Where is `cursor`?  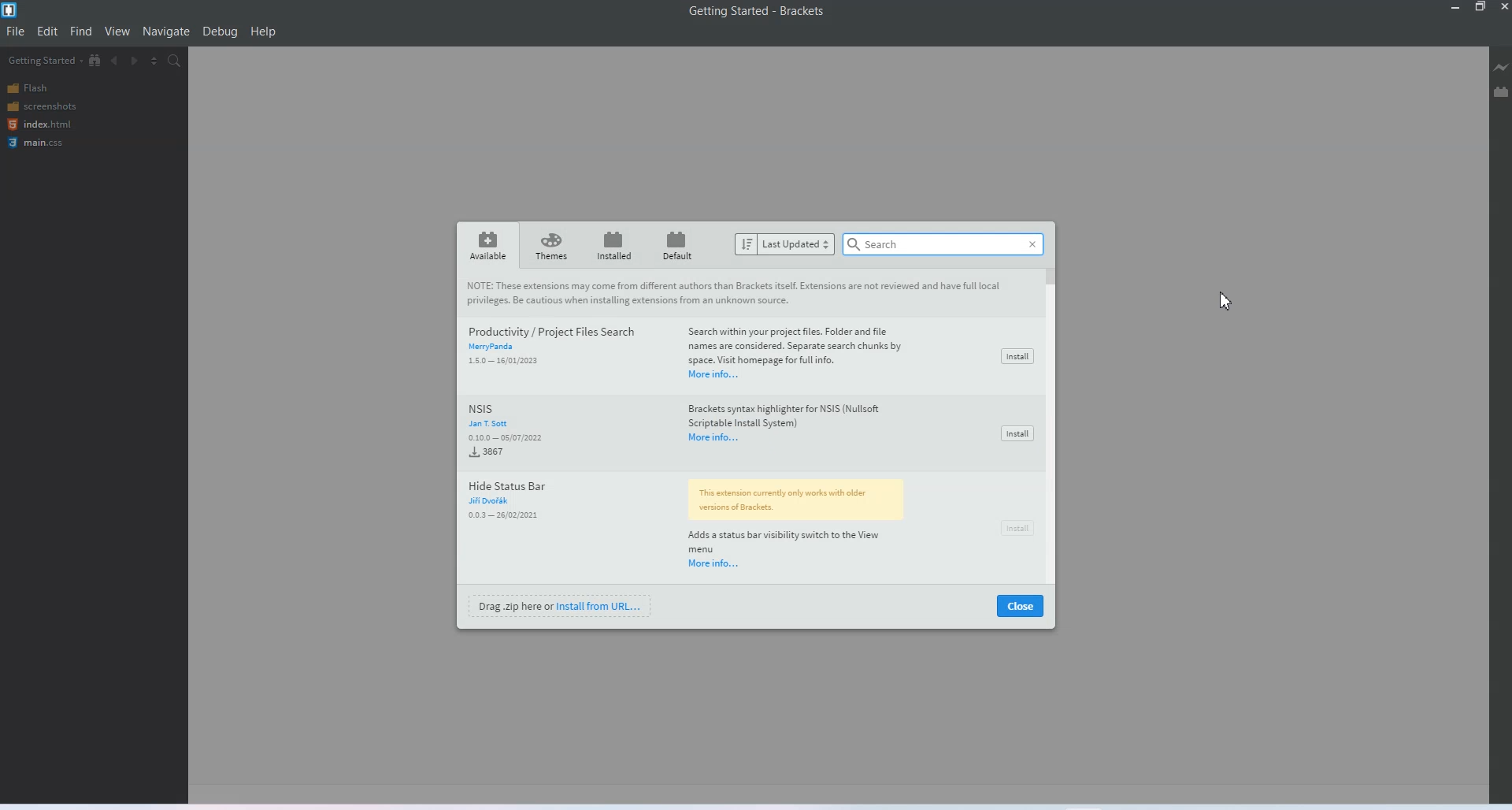 cursor is located at coordinates (1226, 300).